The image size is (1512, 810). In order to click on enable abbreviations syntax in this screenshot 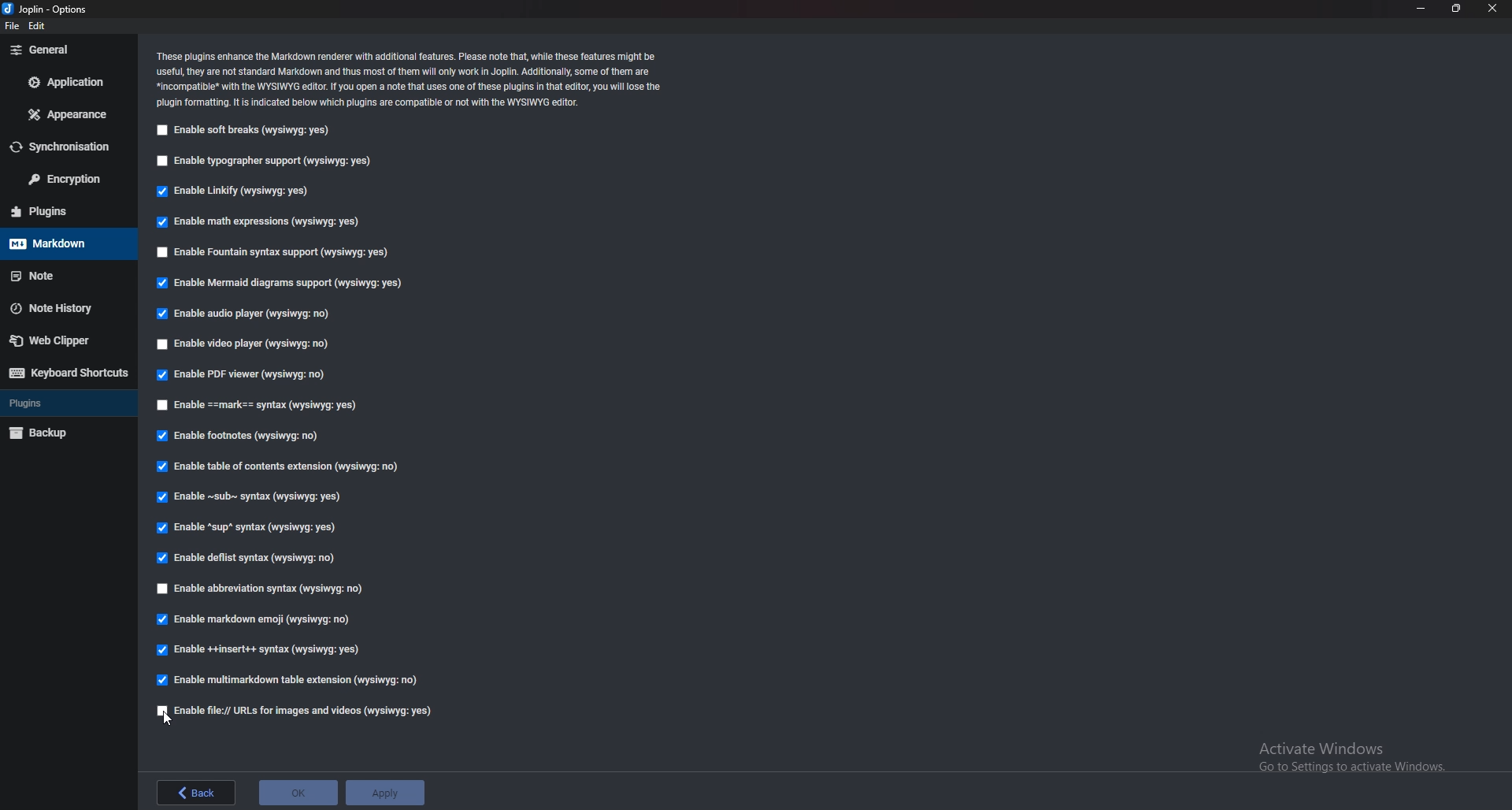, I will do `click(282, 590)`.